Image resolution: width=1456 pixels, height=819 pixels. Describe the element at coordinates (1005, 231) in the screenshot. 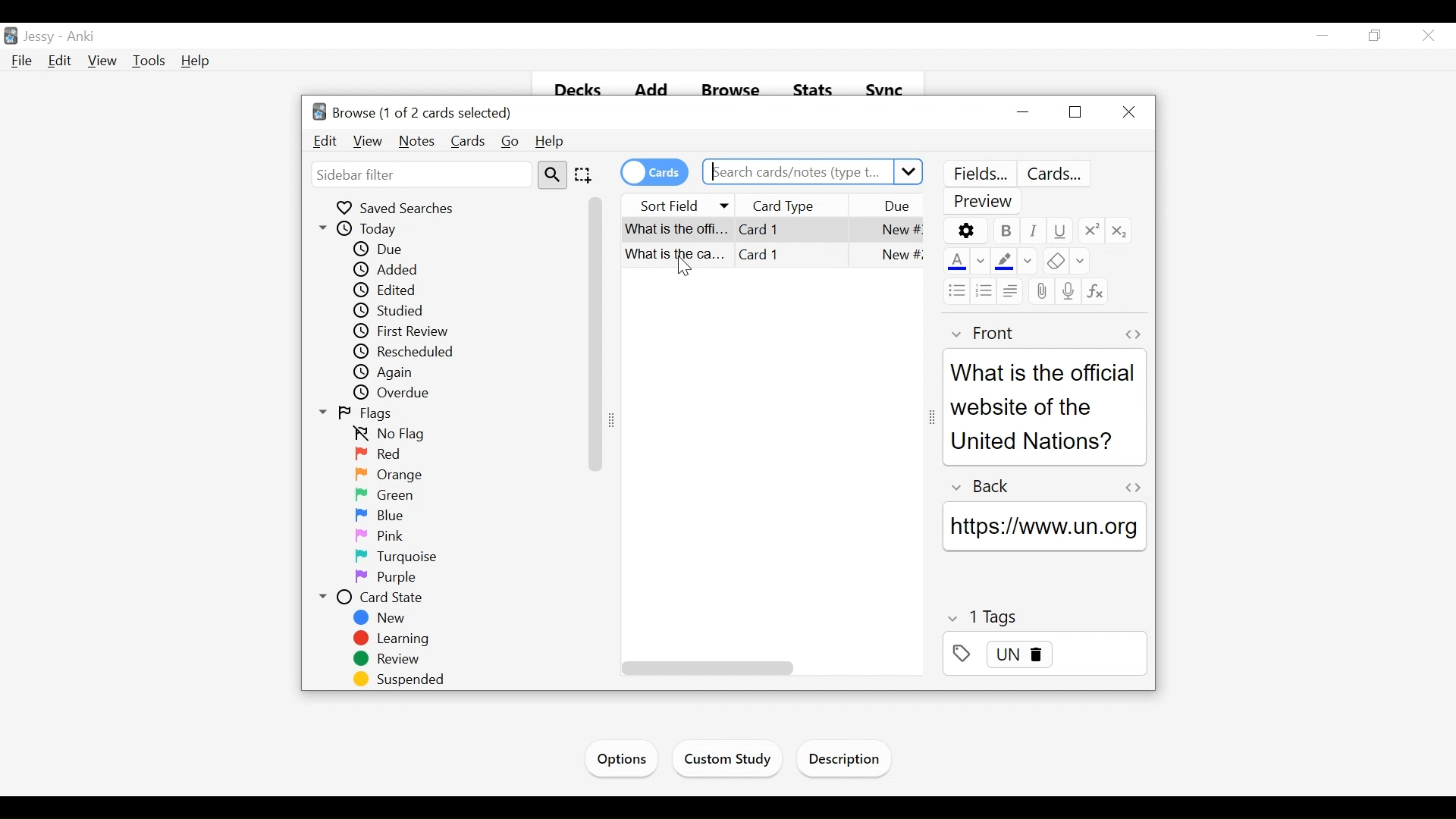

I see `Bold` at that location.